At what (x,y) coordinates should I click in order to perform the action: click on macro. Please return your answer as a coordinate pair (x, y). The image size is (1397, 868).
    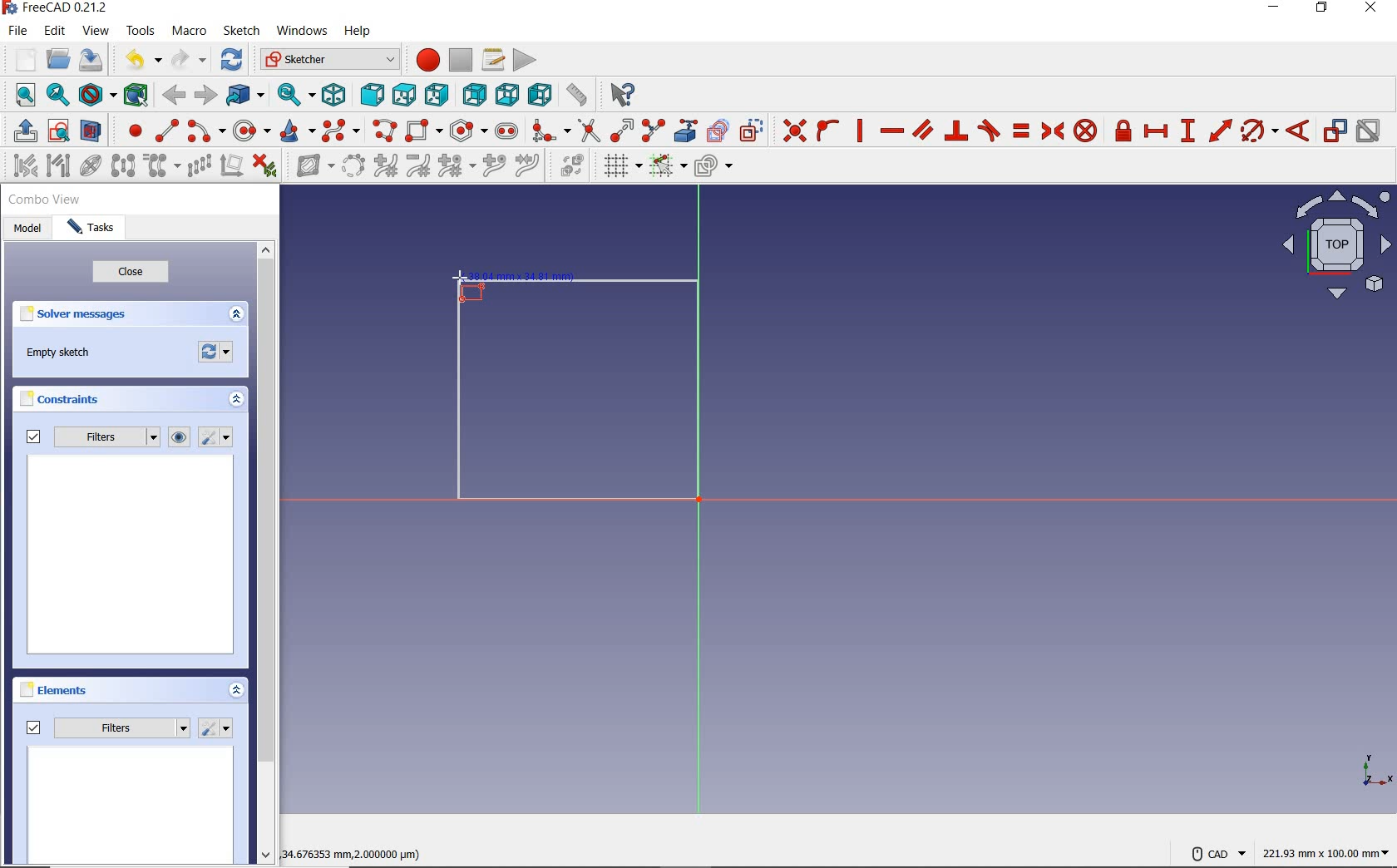
    Looking at the image, I should click on (190, 32).